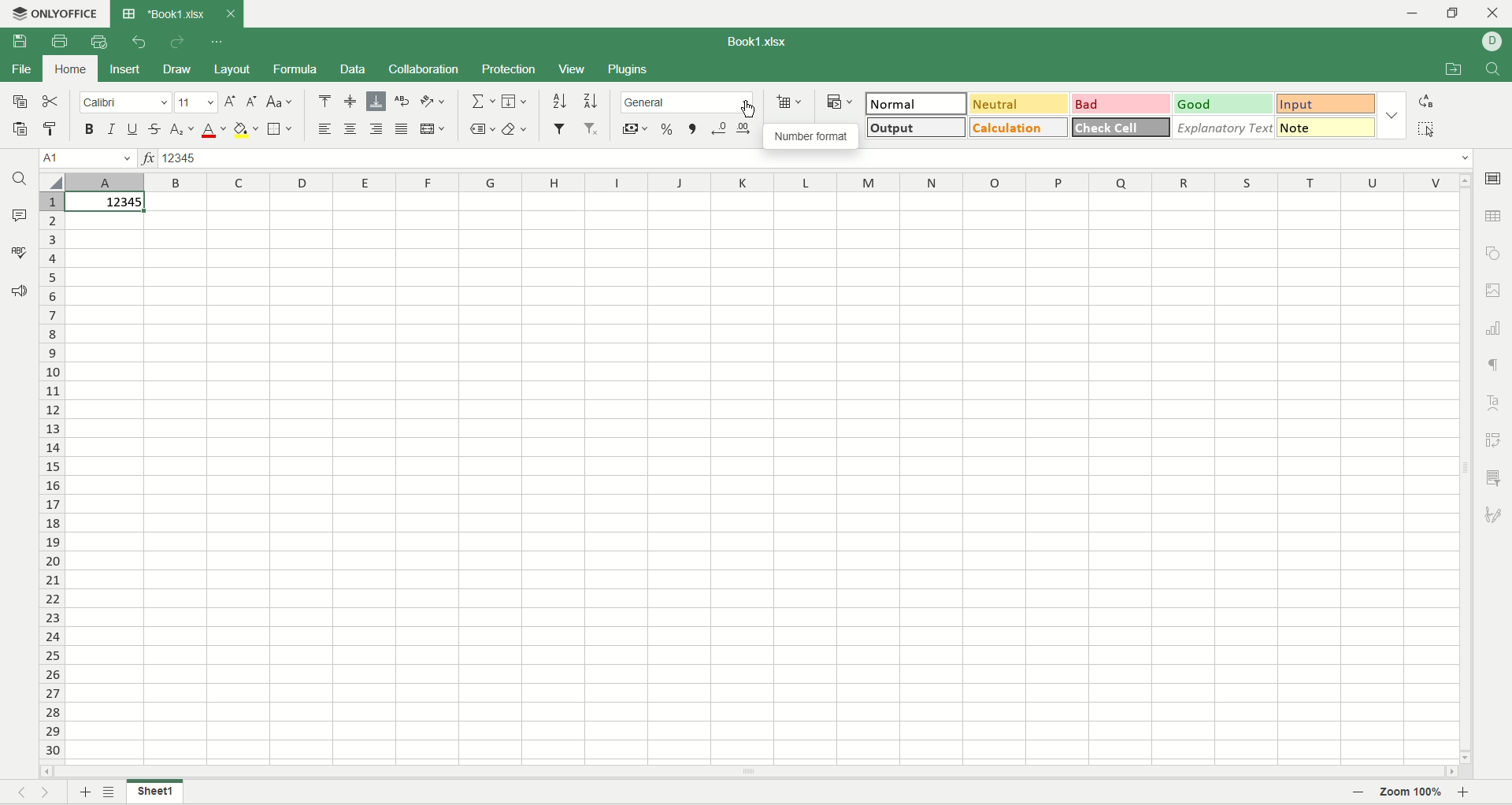 This screenshot has height=805, width=1512. I want to click on zoom in, so click(1463, 793).